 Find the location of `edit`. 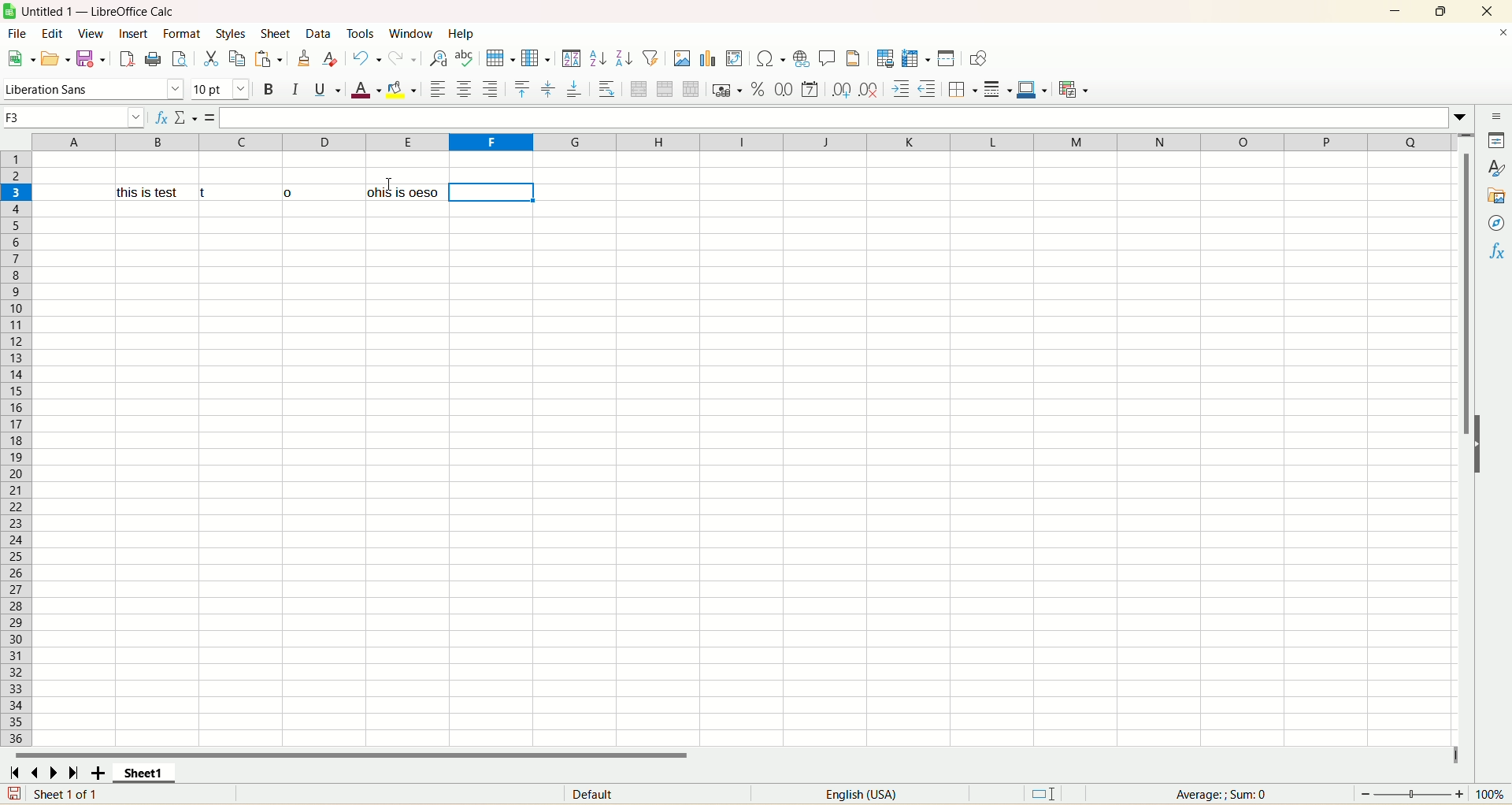

edit is located at coordinates (50, 33).